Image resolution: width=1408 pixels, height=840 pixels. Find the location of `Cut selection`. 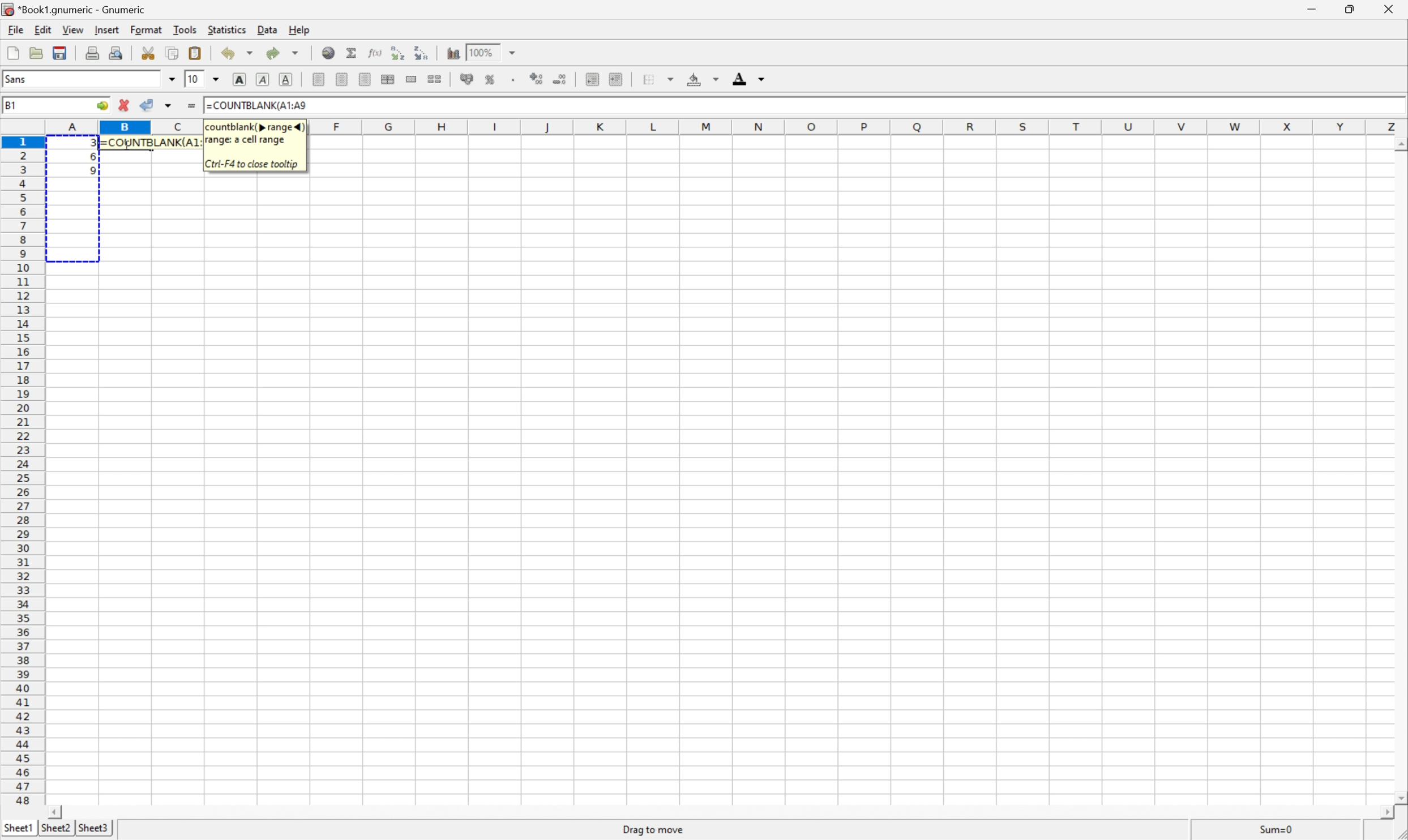

Cut selection is located at coordinates (148, 53).